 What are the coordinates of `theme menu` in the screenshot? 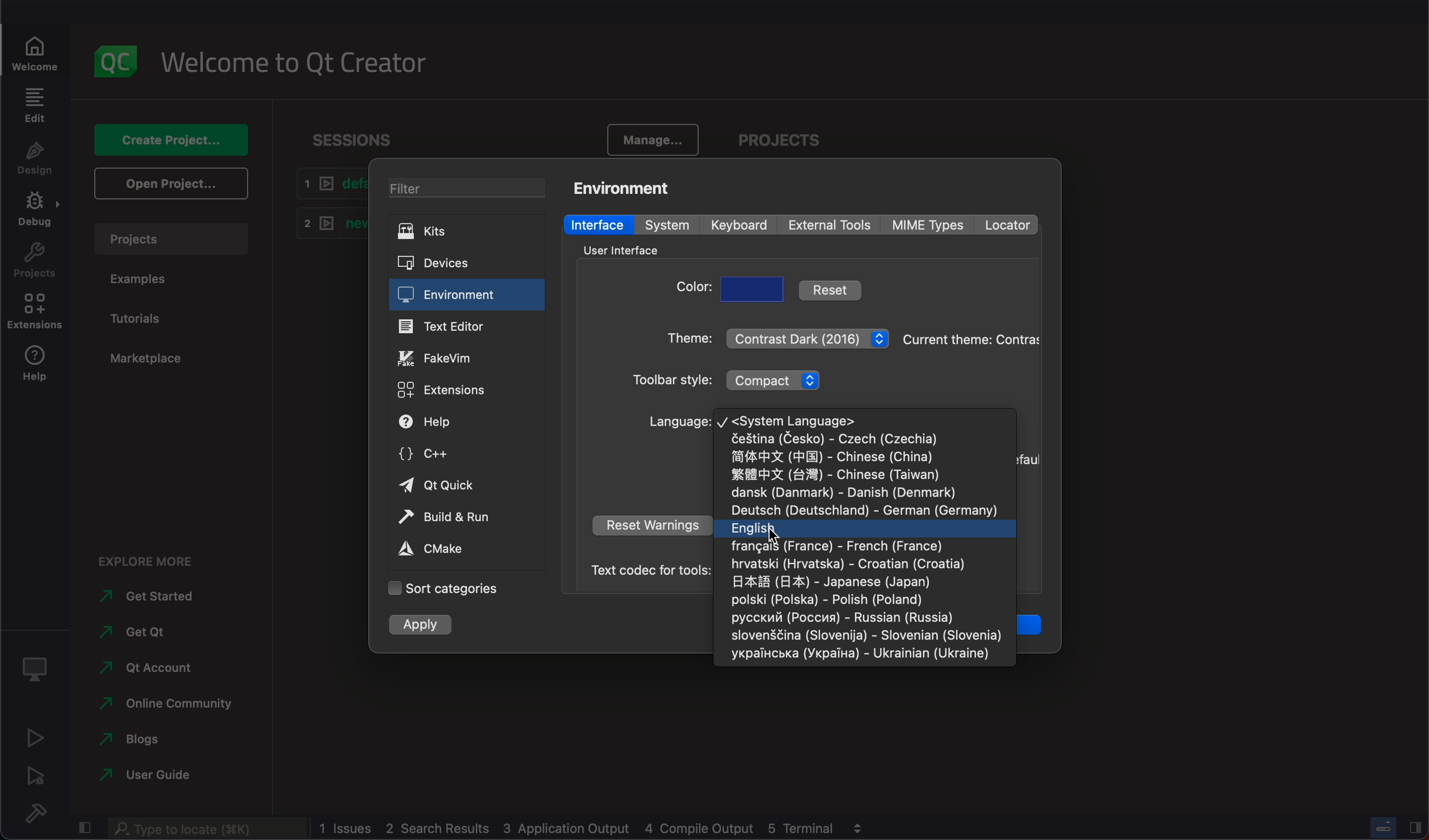 It's located at (807, 338).